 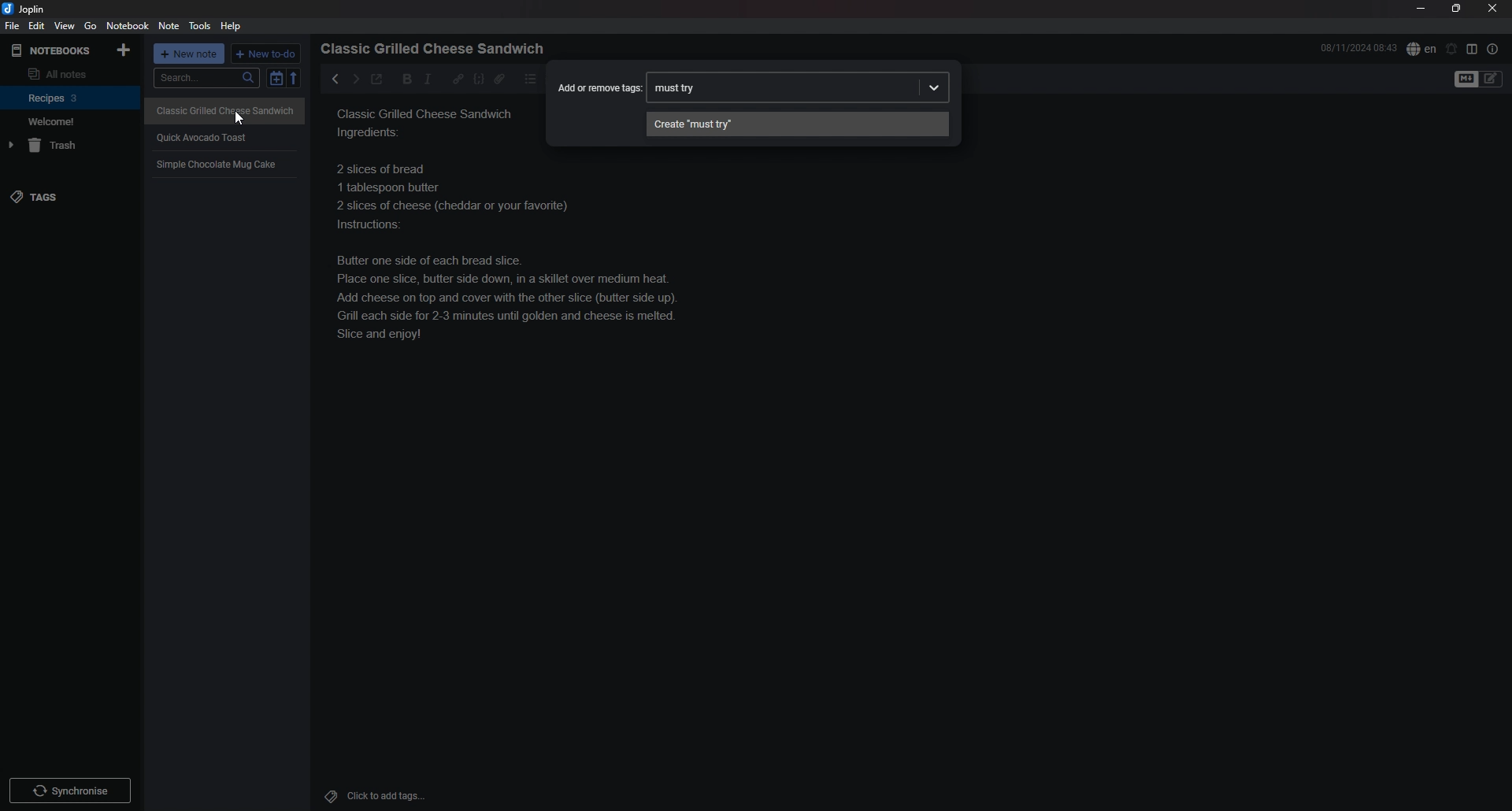 What do you see at coordinates (428, 149) in the screenshot?
I see `Simple chocolate mug cake` at bounding box center [428, 149].